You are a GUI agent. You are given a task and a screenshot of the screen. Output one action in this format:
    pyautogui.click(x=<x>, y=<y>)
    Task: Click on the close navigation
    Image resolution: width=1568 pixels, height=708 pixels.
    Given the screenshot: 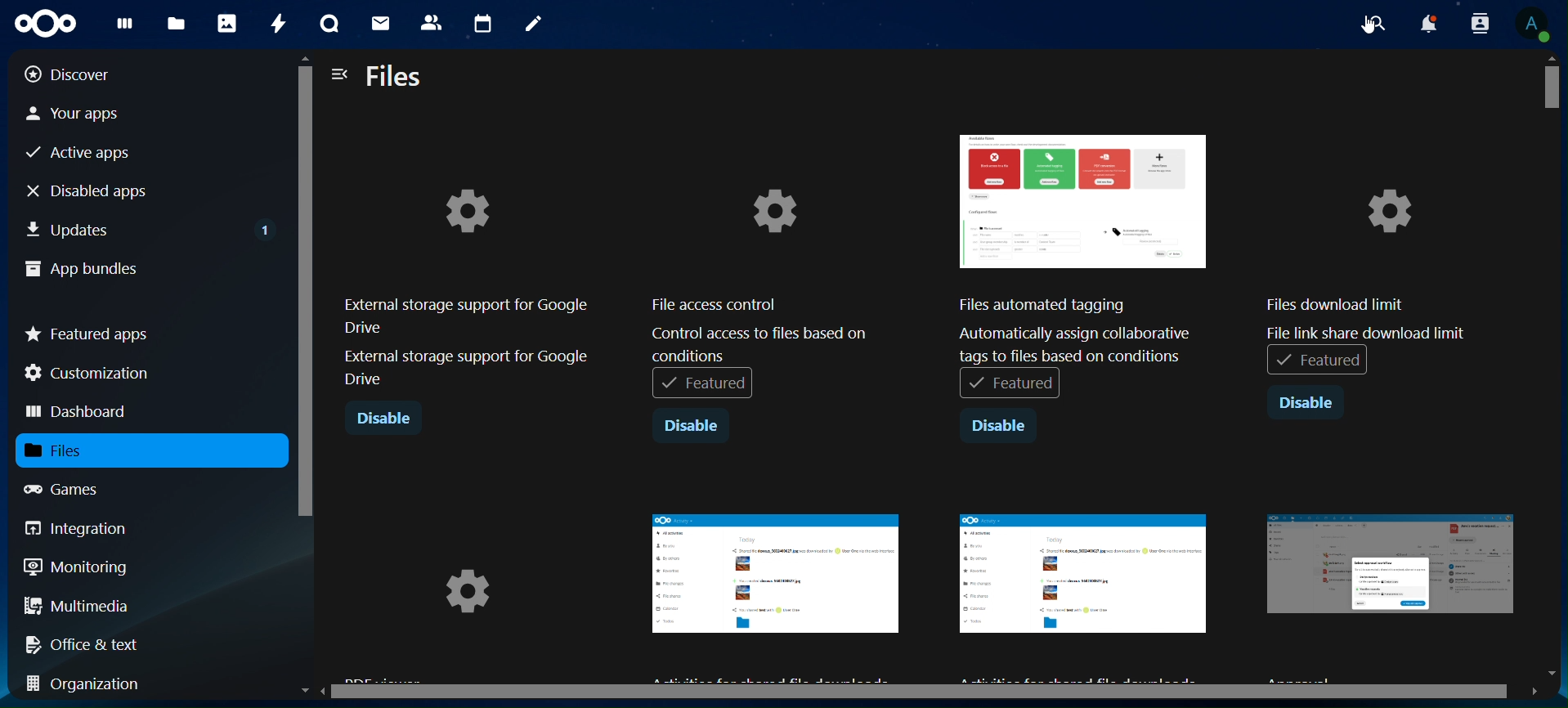 What is the action you would take?
    pyautogui.click(x=340, y=76)
    